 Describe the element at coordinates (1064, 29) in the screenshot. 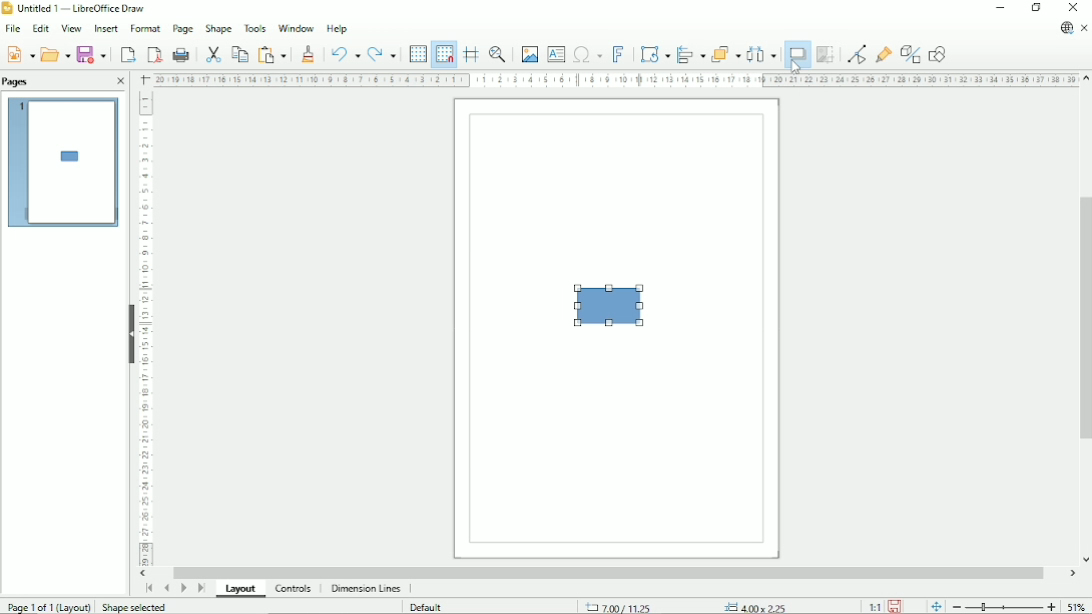

I see `Update available` at that location.